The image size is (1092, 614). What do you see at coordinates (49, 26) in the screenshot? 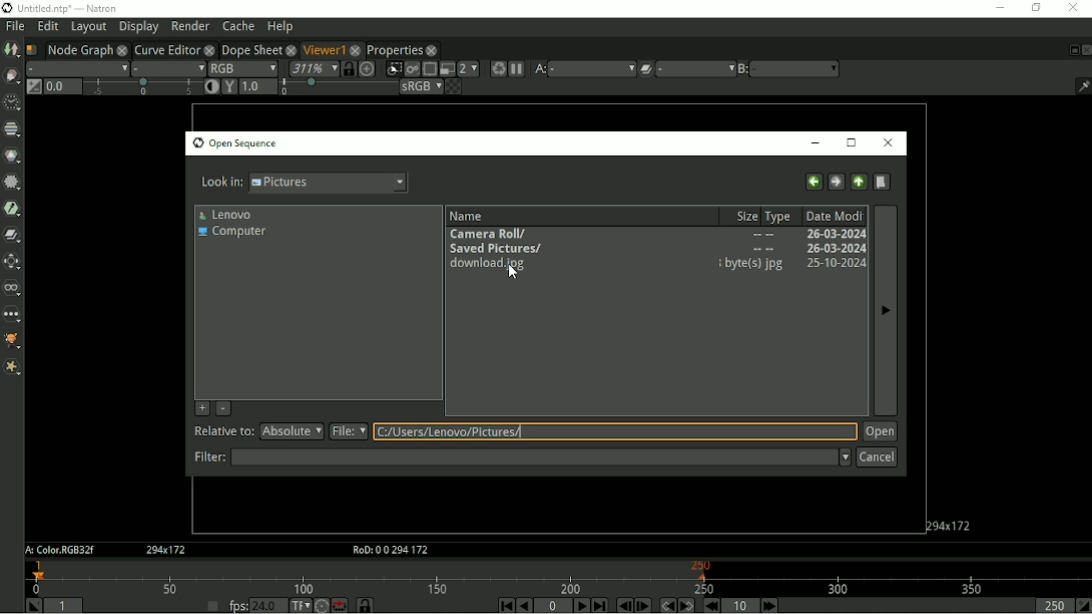
I see `Edit` at bounding box center [49, 26].